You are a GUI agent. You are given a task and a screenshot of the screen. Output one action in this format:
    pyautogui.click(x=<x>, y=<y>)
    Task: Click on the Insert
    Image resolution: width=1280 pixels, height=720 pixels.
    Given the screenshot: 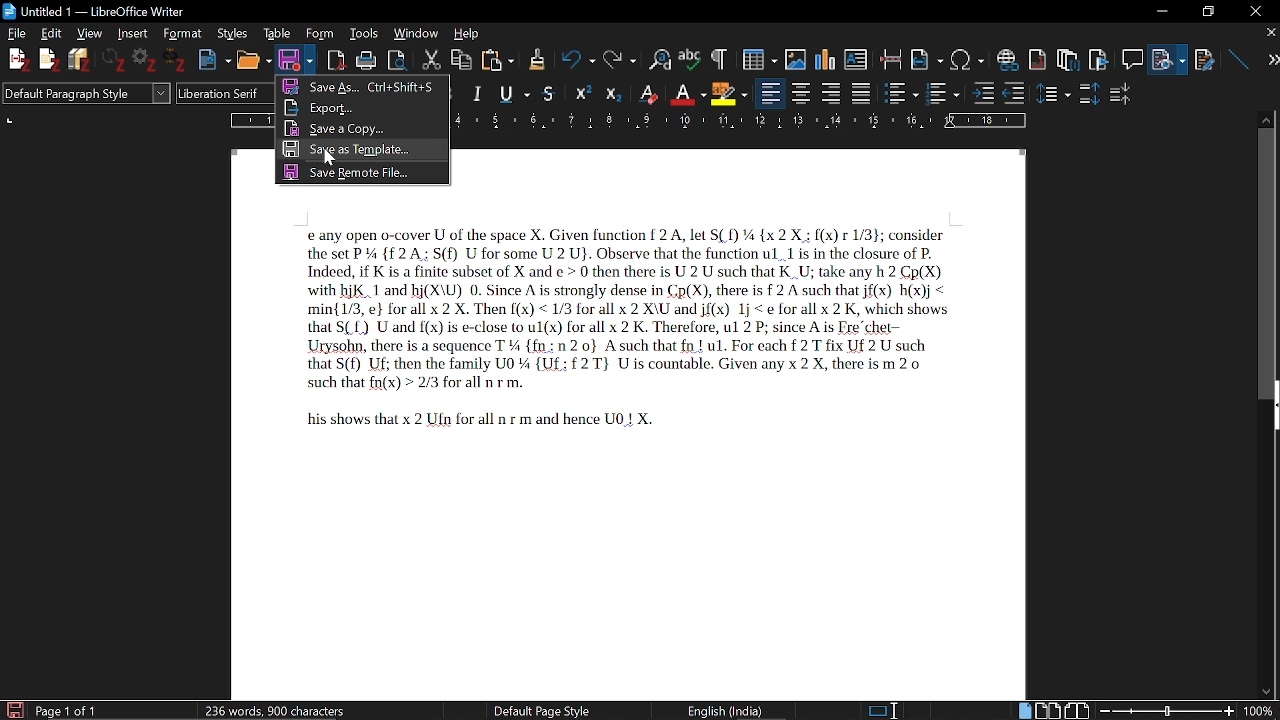 What is the action you would take?
    pyautogui.click(x=131, y=34)
    